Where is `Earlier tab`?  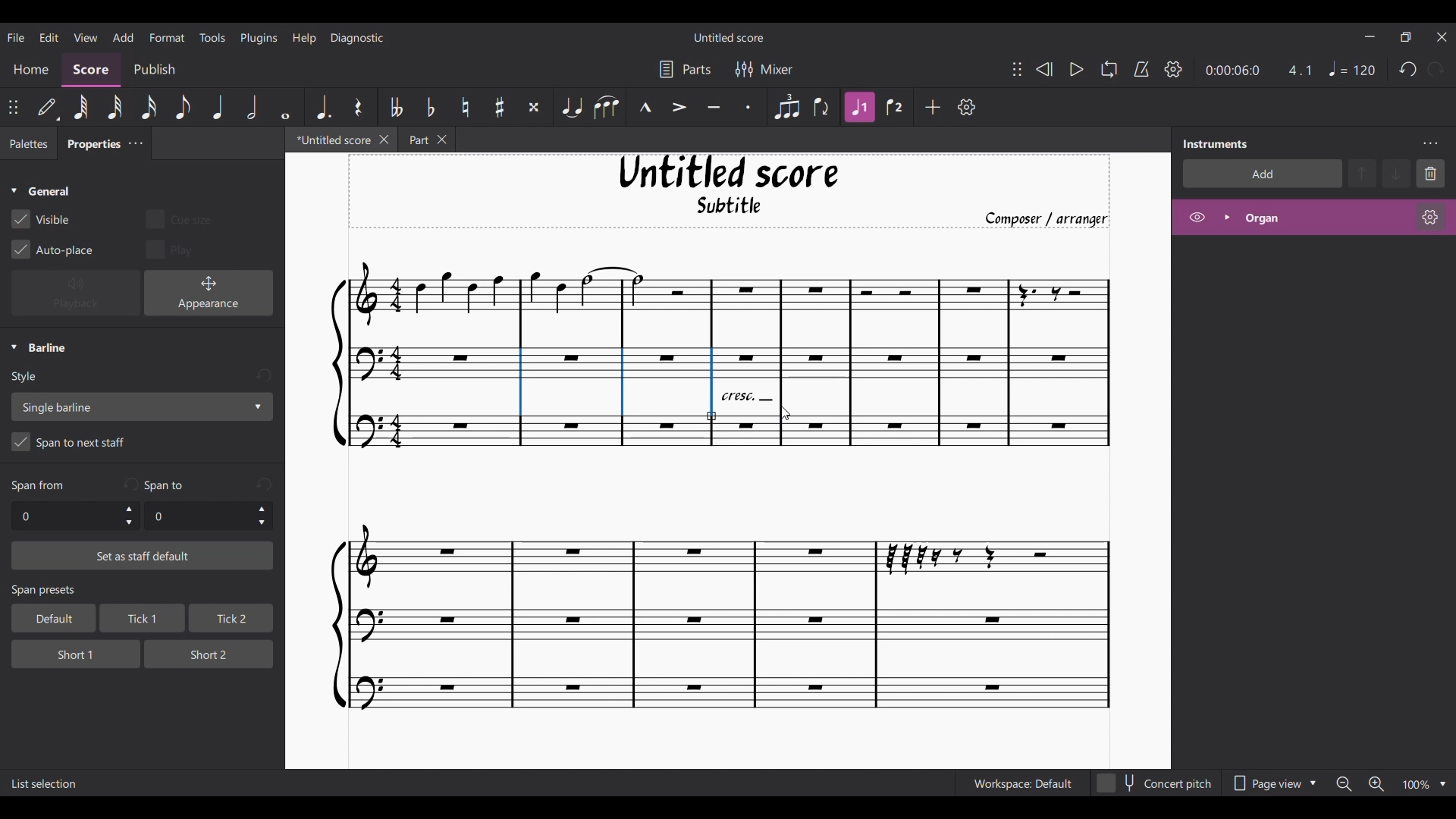
Earlier tab is located at coordinates (427, 142).